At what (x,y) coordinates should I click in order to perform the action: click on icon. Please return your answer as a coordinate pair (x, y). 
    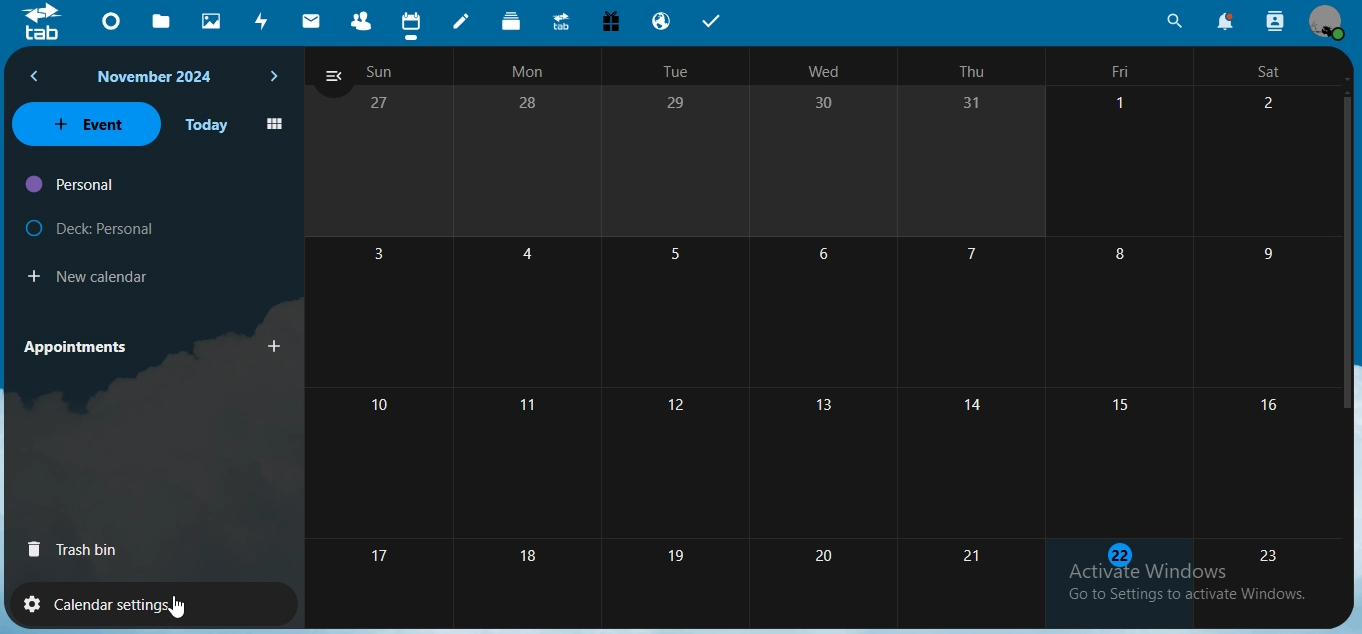
    Looking at the image, I should click on (43, 26).